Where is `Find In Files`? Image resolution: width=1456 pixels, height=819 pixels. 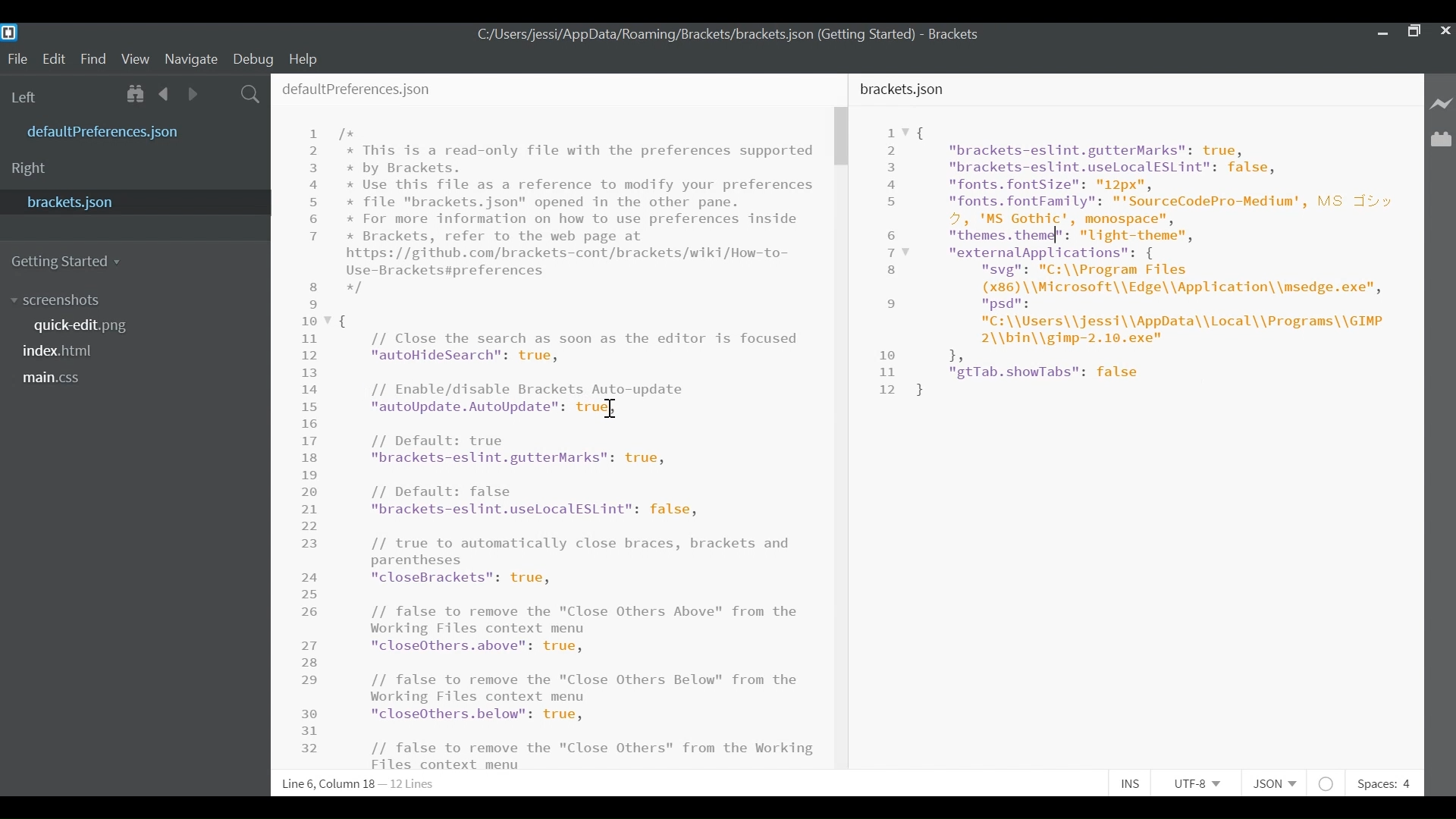 Find In Files is located at coordinates (251, 93).